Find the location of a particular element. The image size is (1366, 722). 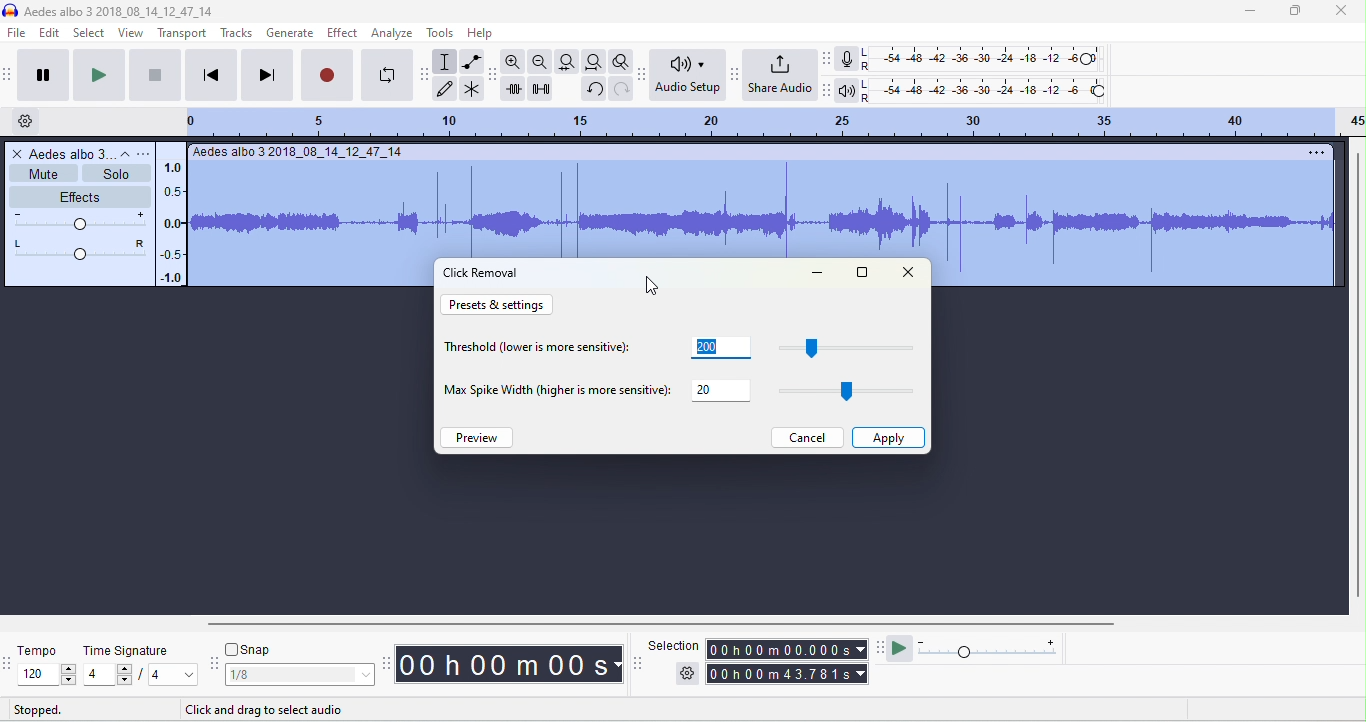

fit project to width is located at coordinates (593, 61).